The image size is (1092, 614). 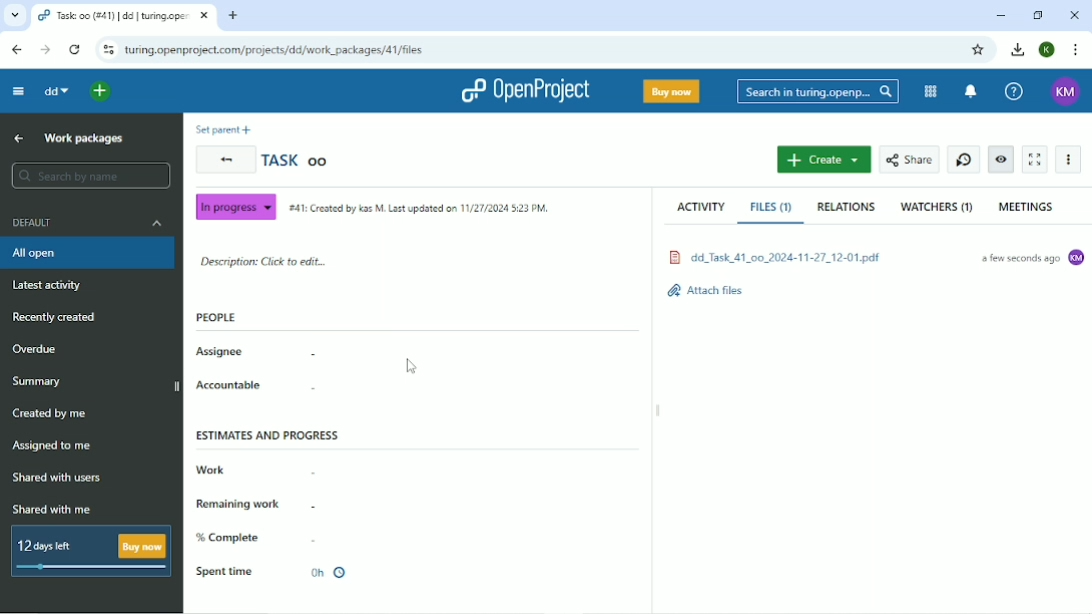 I want to click on Activate zen mode, so click(x=1035, y=159).